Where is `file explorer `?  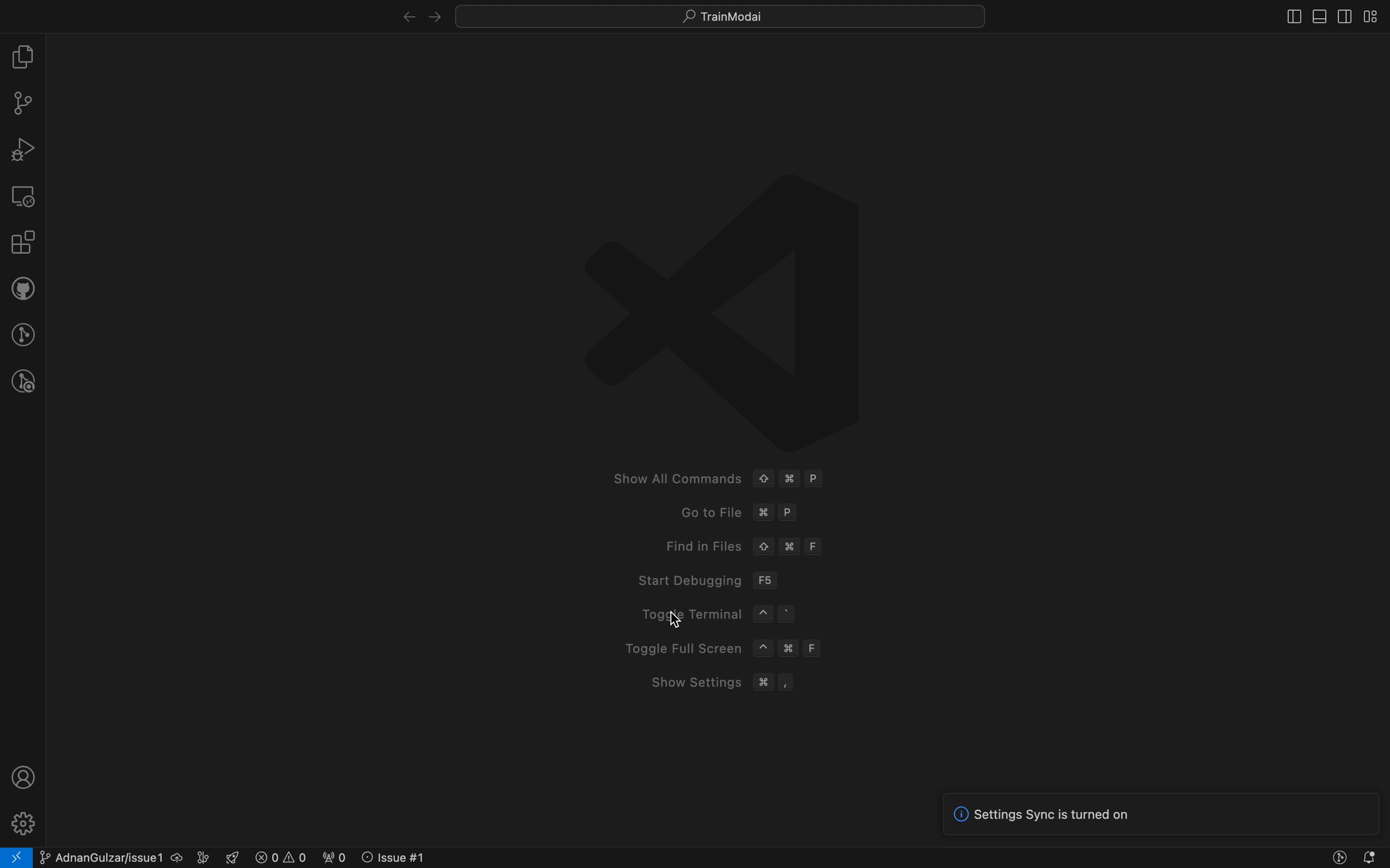
file explorer  is located at coordinates (23, 56).